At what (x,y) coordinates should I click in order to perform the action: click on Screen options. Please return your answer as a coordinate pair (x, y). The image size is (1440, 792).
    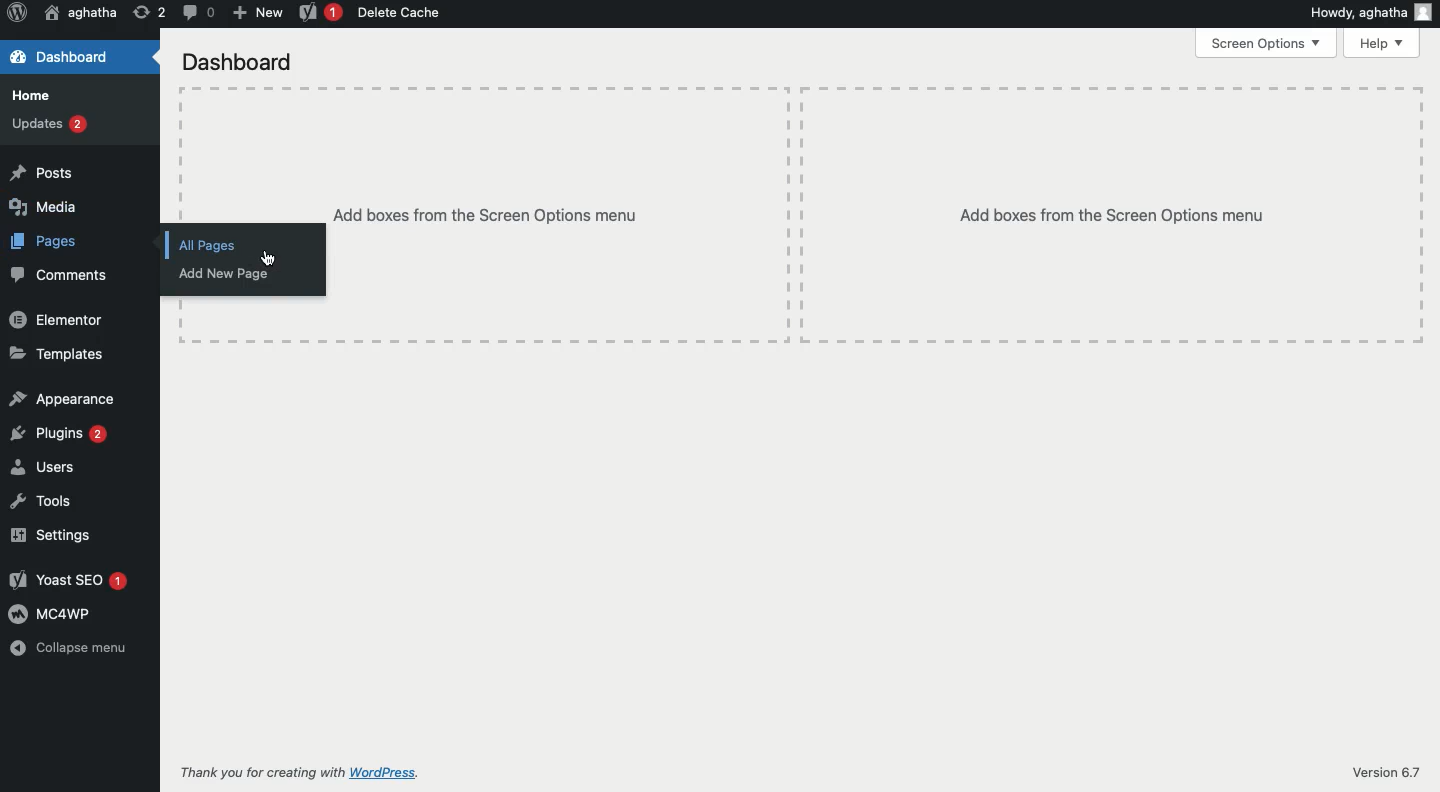
    Looking at the image, I should click on (1267, 42).